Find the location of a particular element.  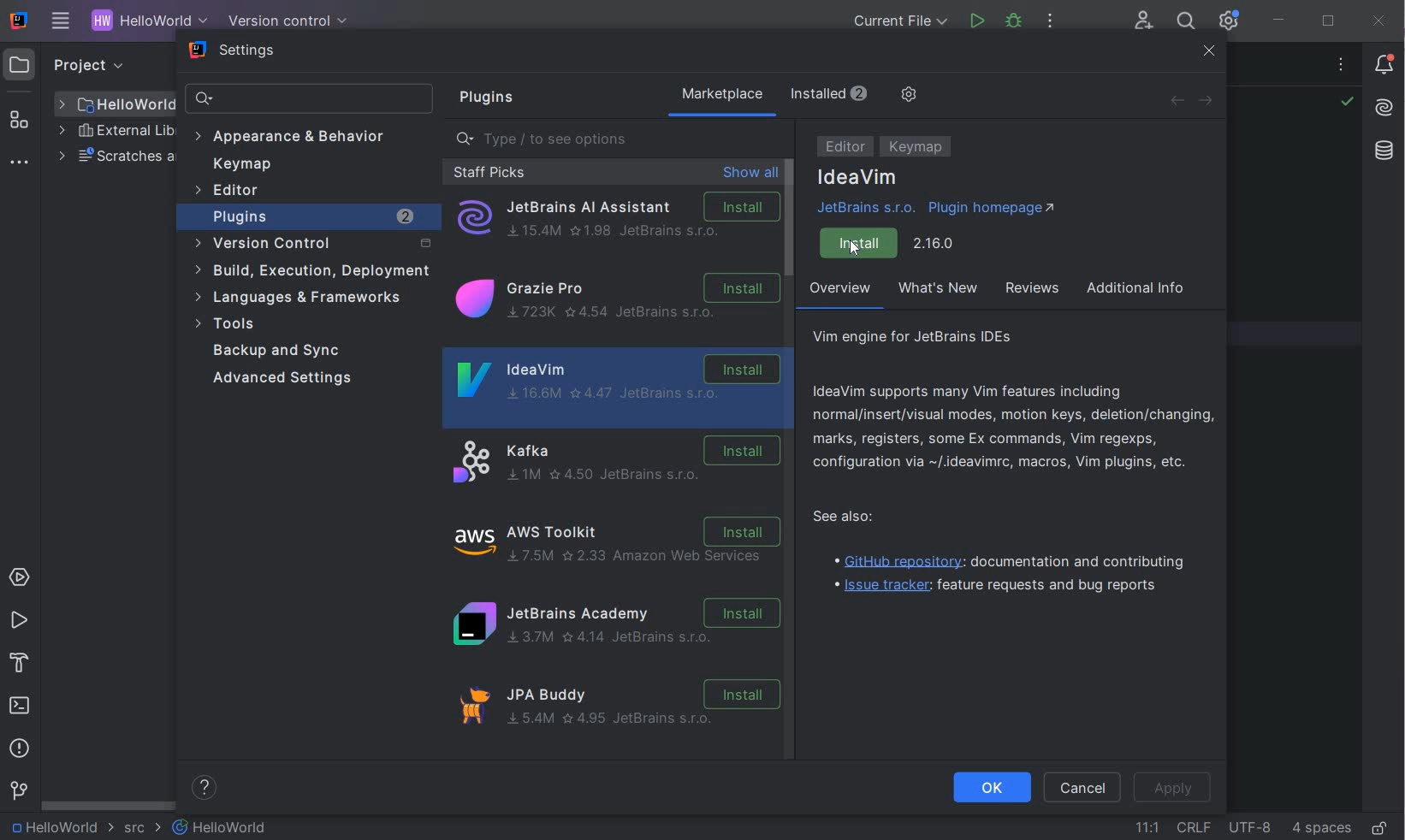

GO TO LINE is located at coordinates (1147, 825).